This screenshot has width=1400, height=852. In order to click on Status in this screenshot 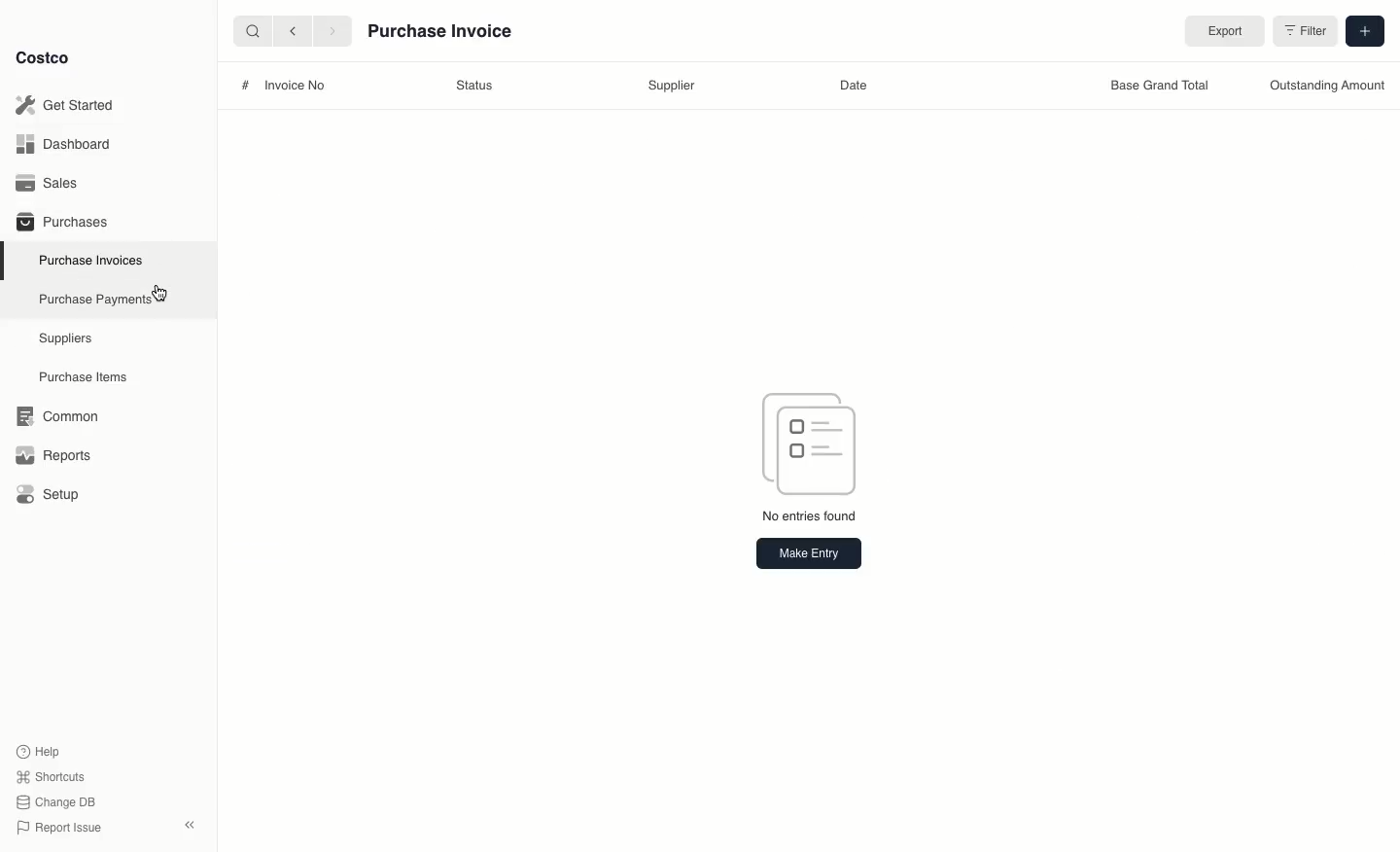, I will do `click(473, 86)`.